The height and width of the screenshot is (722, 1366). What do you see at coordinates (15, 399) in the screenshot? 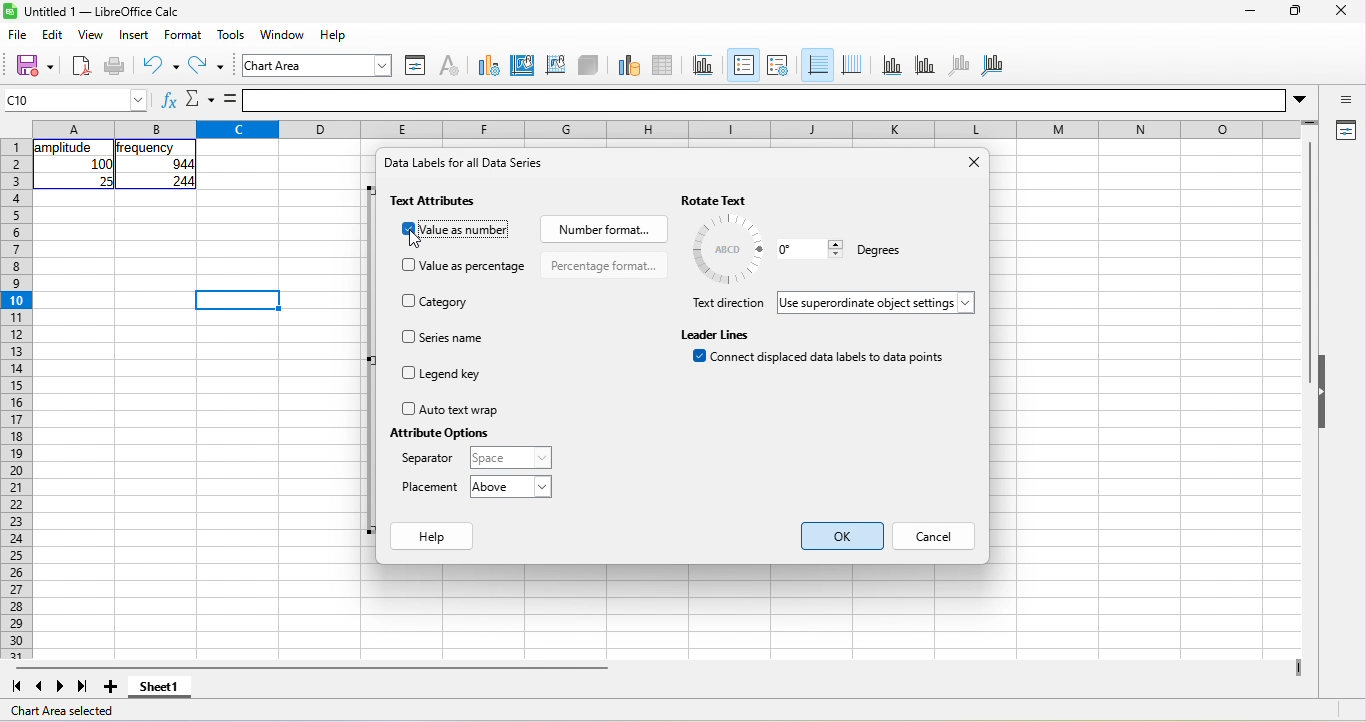
I see `rows` at bounding box center [15, 399].